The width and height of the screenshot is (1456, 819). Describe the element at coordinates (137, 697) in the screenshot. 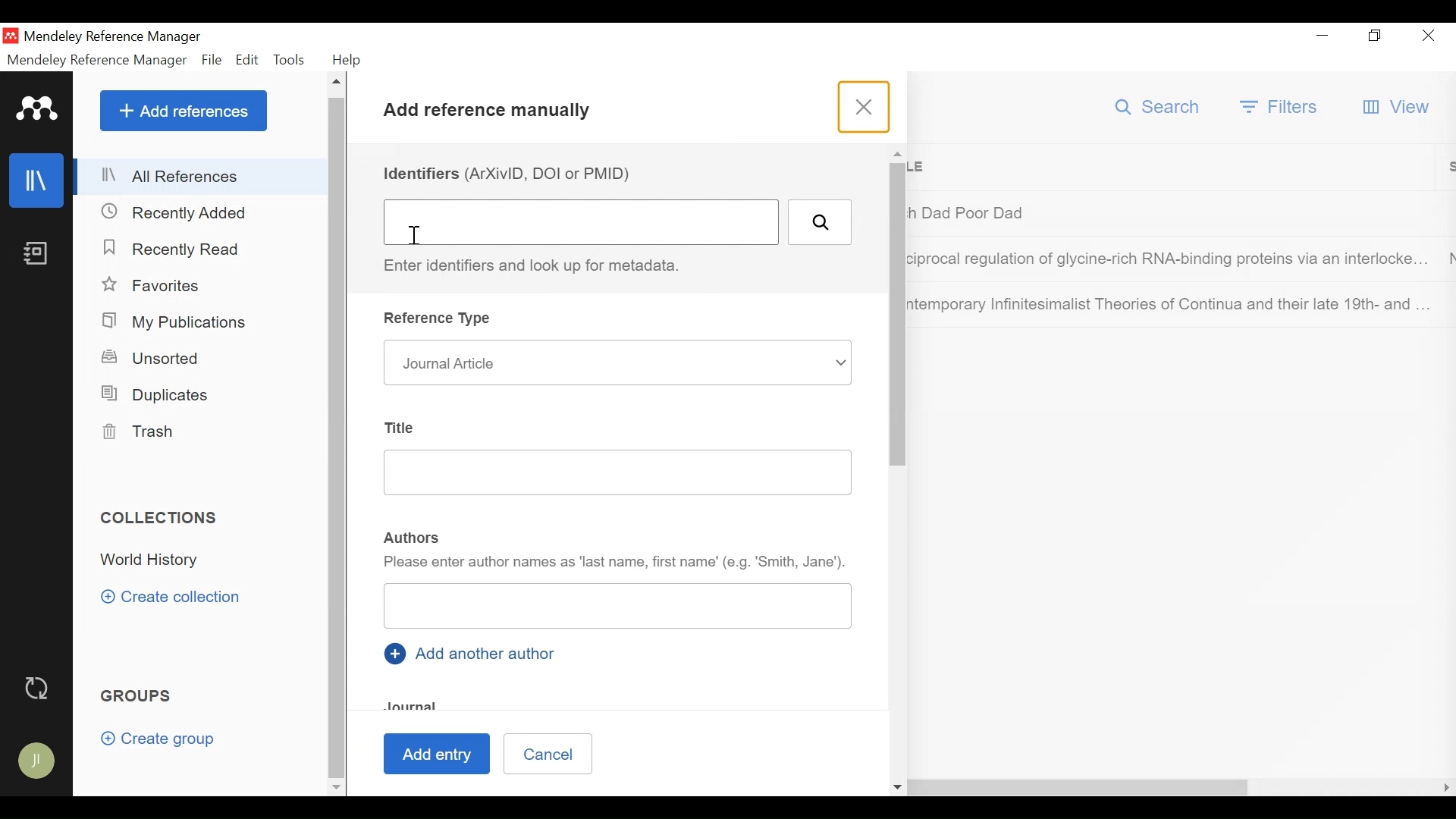

I see `Groups ` at that location.